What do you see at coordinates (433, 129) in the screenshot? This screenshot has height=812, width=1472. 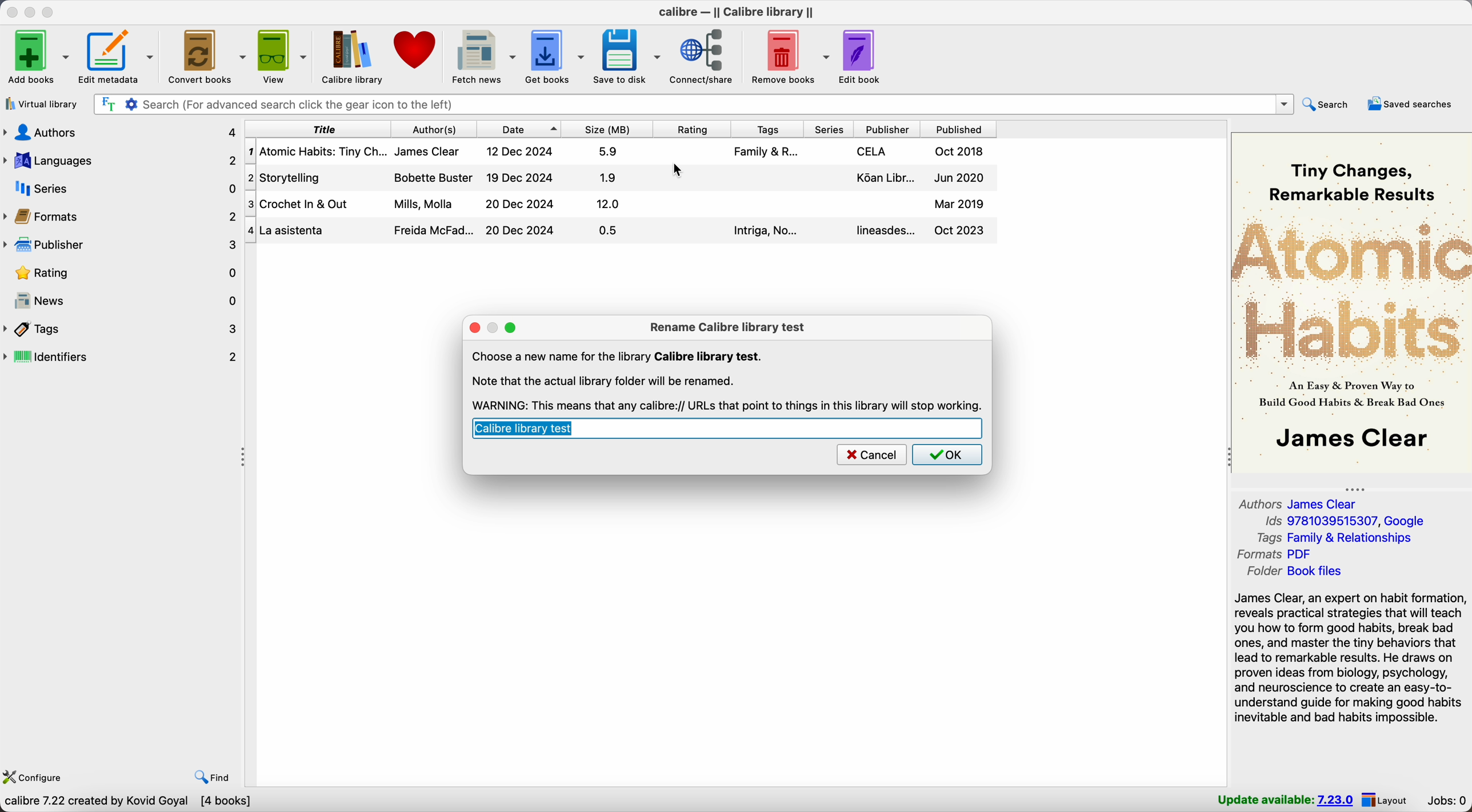 I see `author(s)` at bounding box center [433, 129].